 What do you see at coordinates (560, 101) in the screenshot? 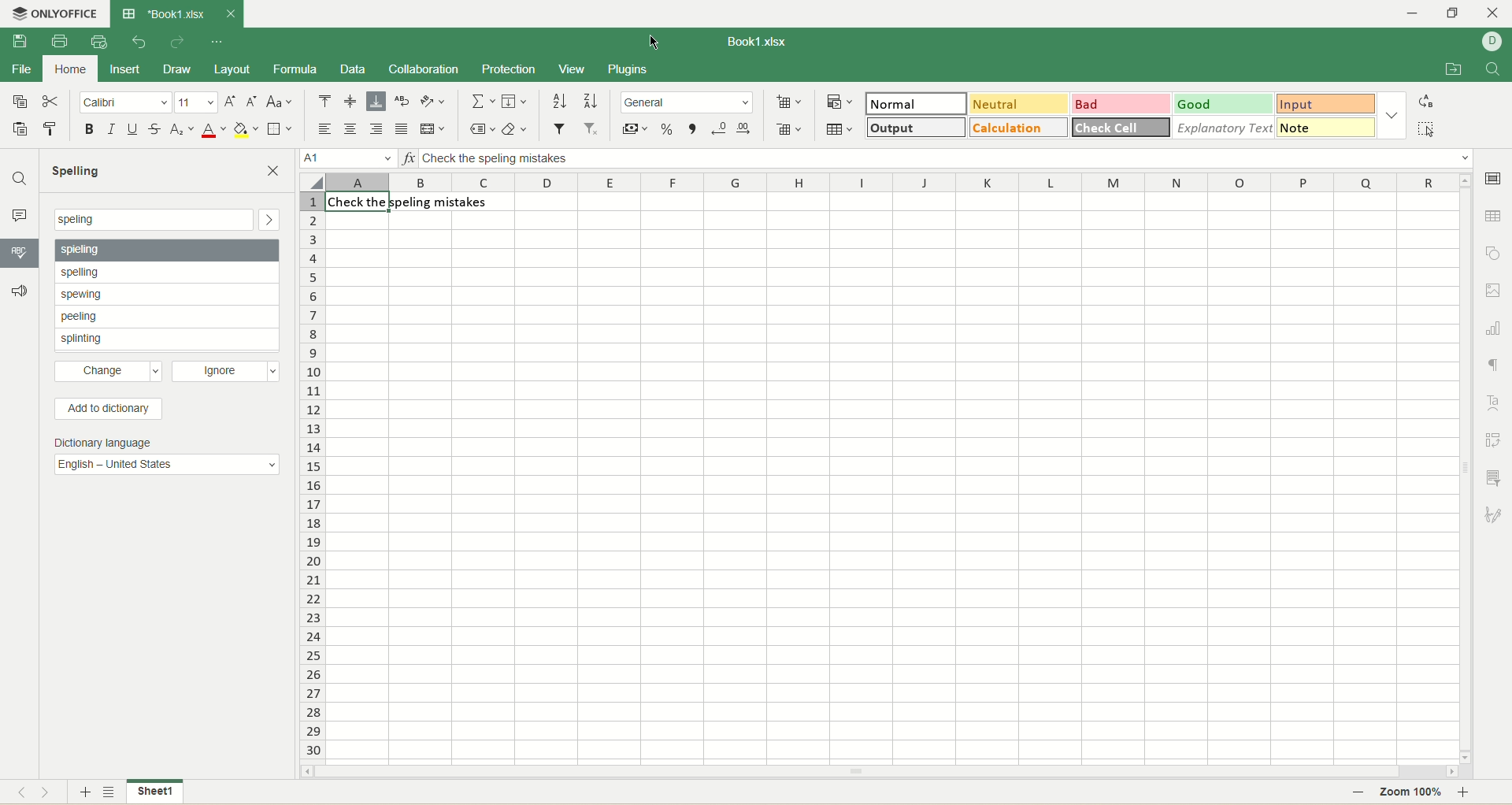
I see `sort ascending` at bounding box center [560, 101].